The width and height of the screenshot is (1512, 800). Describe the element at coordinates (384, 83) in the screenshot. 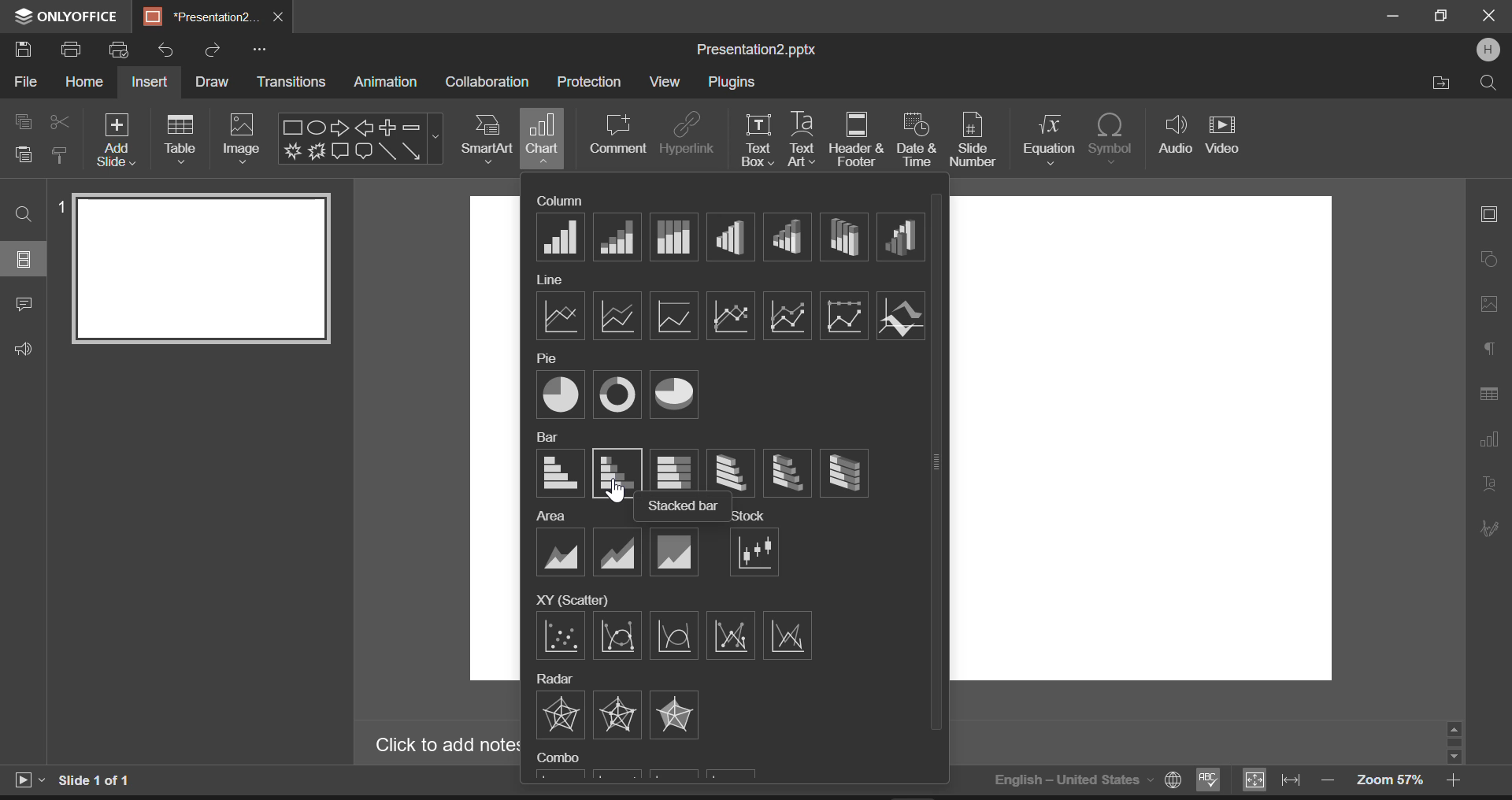

I see `Animation` at that location.